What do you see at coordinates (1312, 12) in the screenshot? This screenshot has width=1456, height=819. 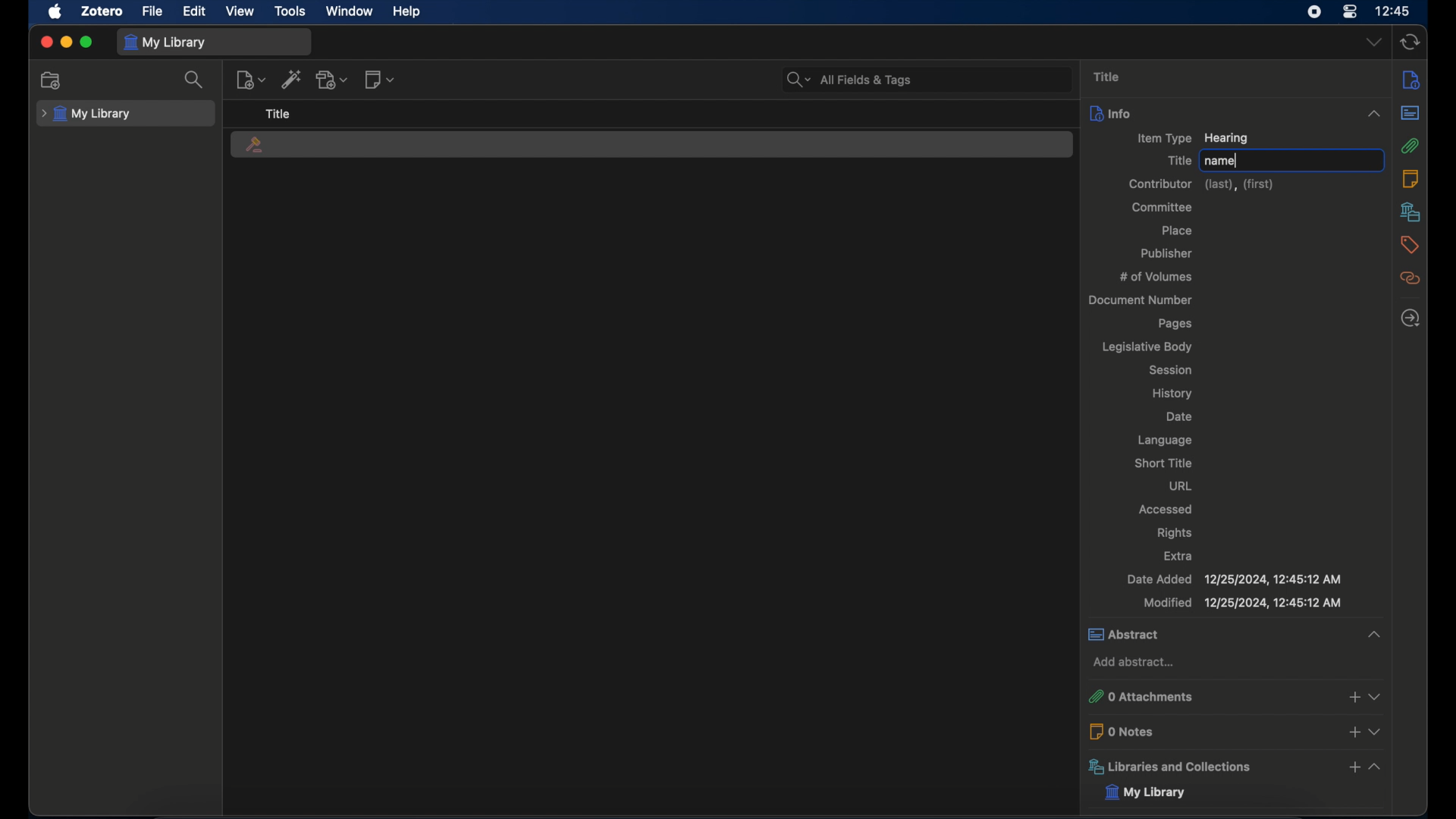 I see `screen recorder ` at bounding box center [1312, 12].